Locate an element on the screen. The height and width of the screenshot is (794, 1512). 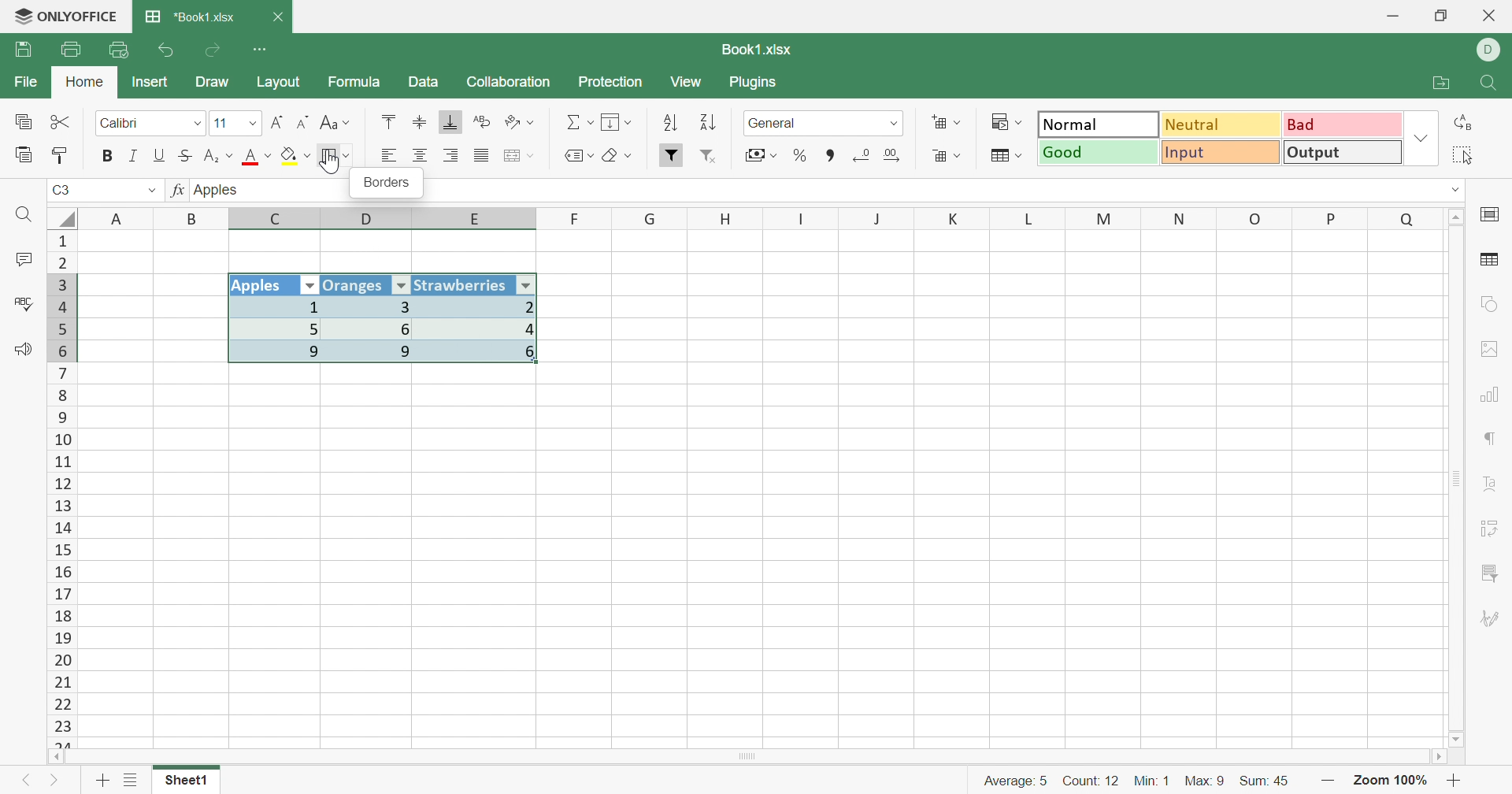
A is located at coordinates (118, 217).